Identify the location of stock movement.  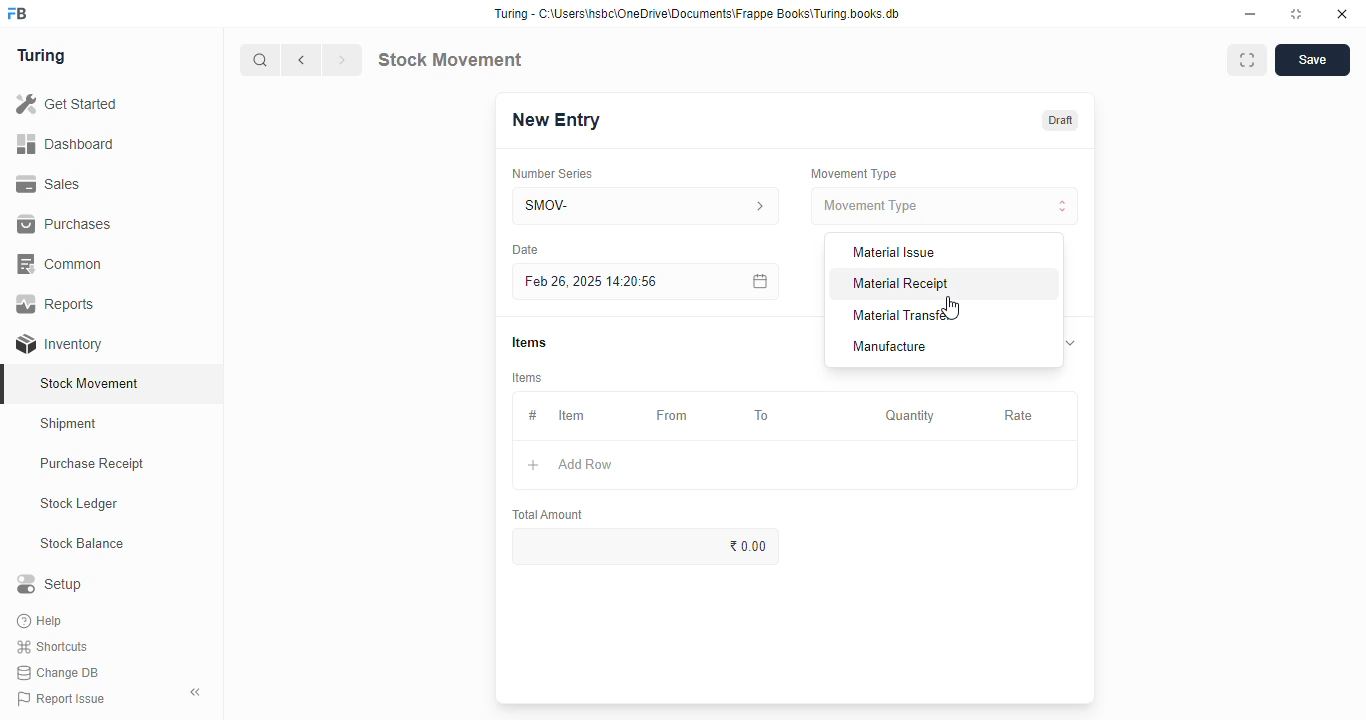
(91, 383).